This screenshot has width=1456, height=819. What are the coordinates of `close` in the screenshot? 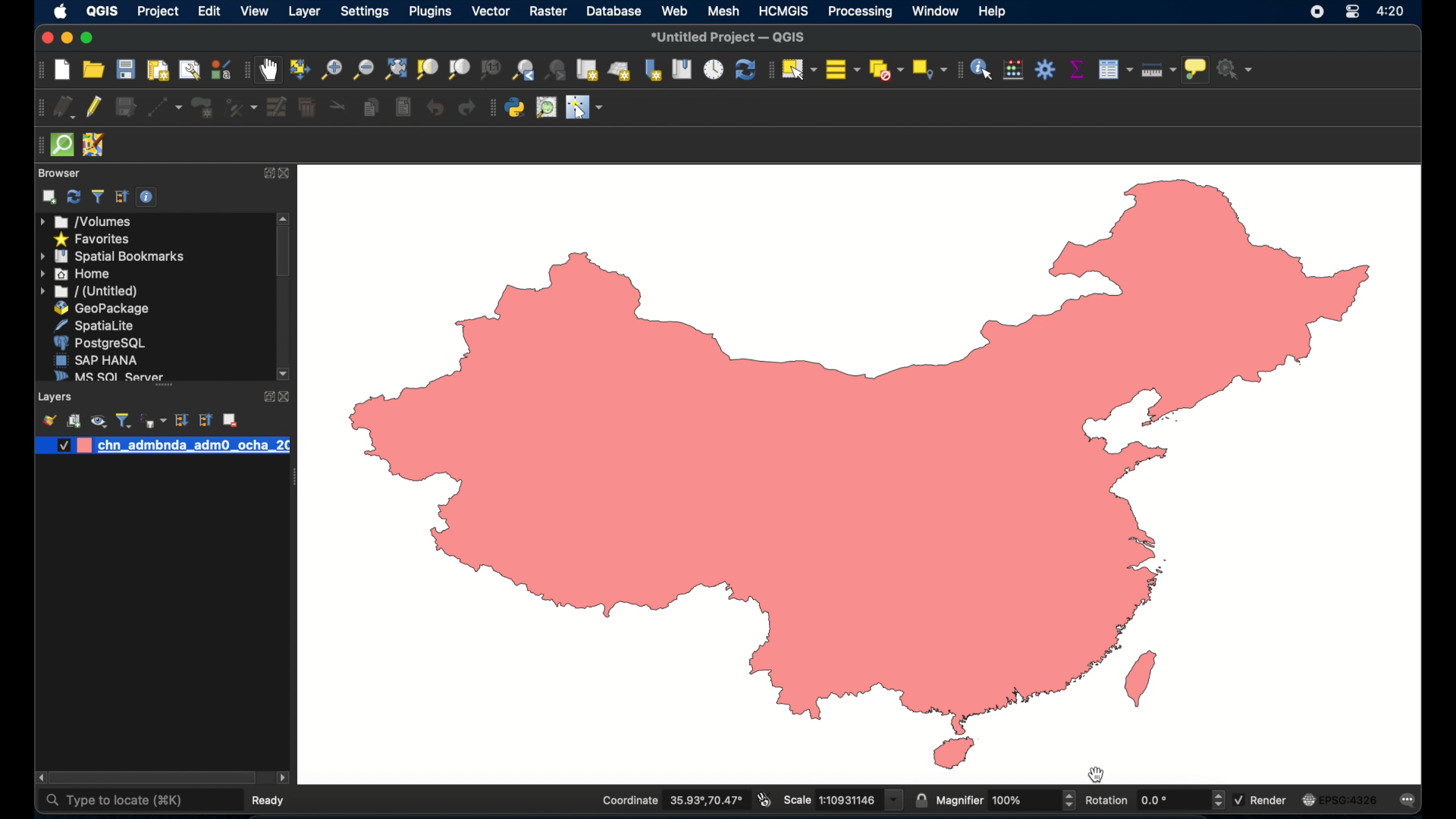 It's located at (290, 174).